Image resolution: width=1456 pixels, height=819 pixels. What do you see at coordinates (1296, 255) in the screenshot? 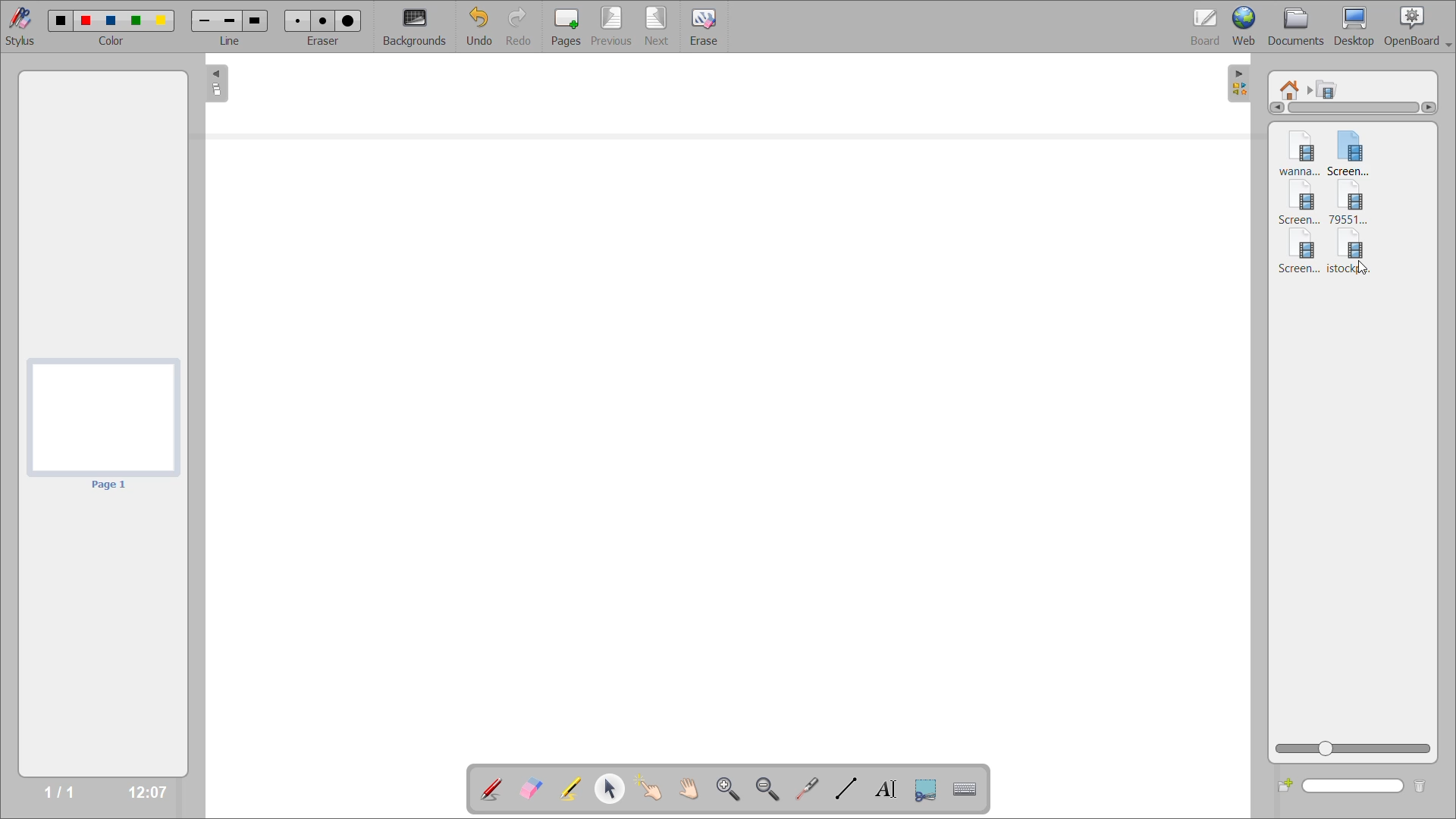
I see `video 5` at bounding box center [1296, 255].